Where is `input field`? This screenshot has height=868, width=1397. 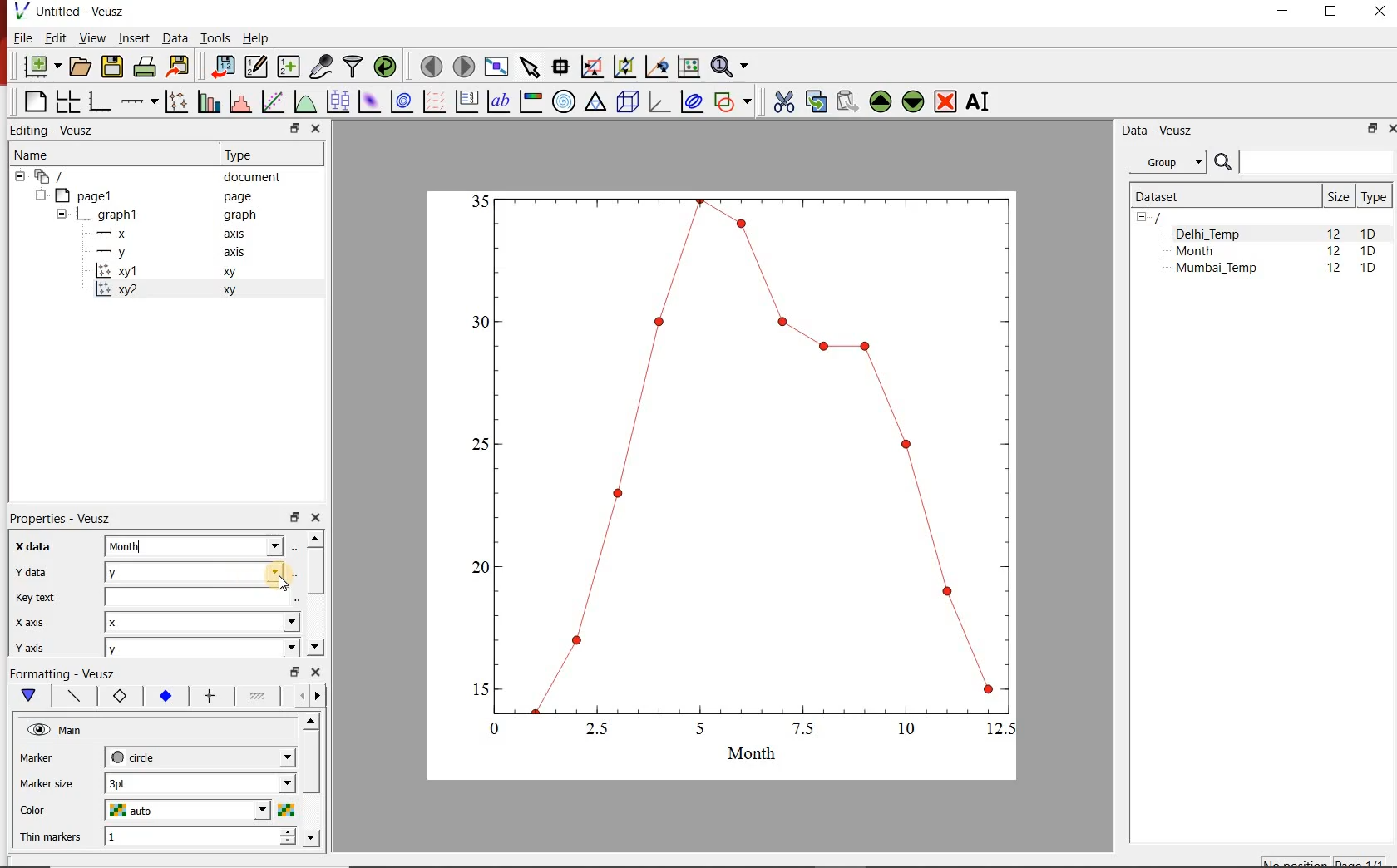
input field is located at coordinates (204, 596).